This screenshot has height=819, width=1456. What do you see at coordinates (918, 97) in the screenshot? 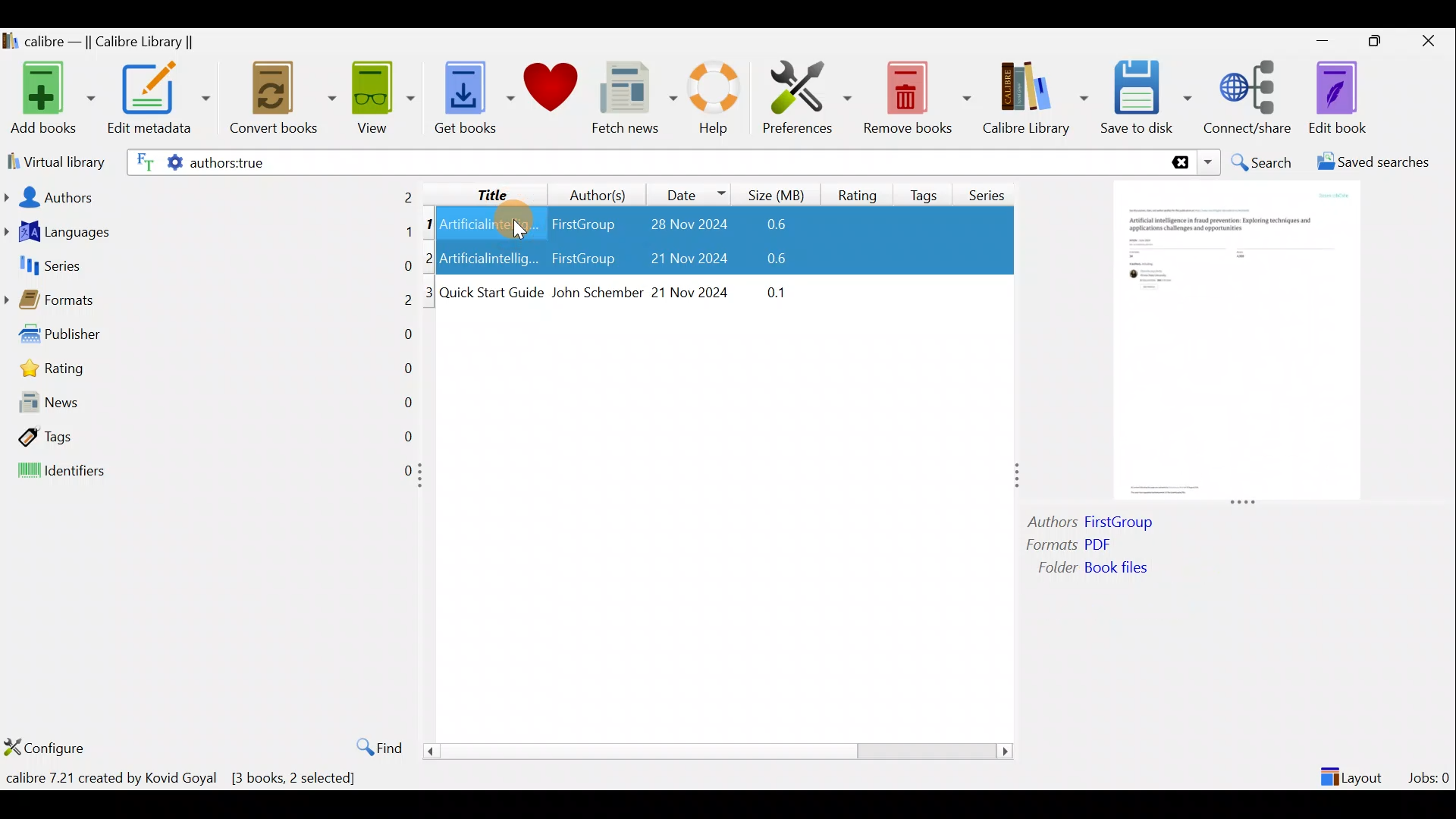
I see `Remove books` at bounding box center [918, 97].